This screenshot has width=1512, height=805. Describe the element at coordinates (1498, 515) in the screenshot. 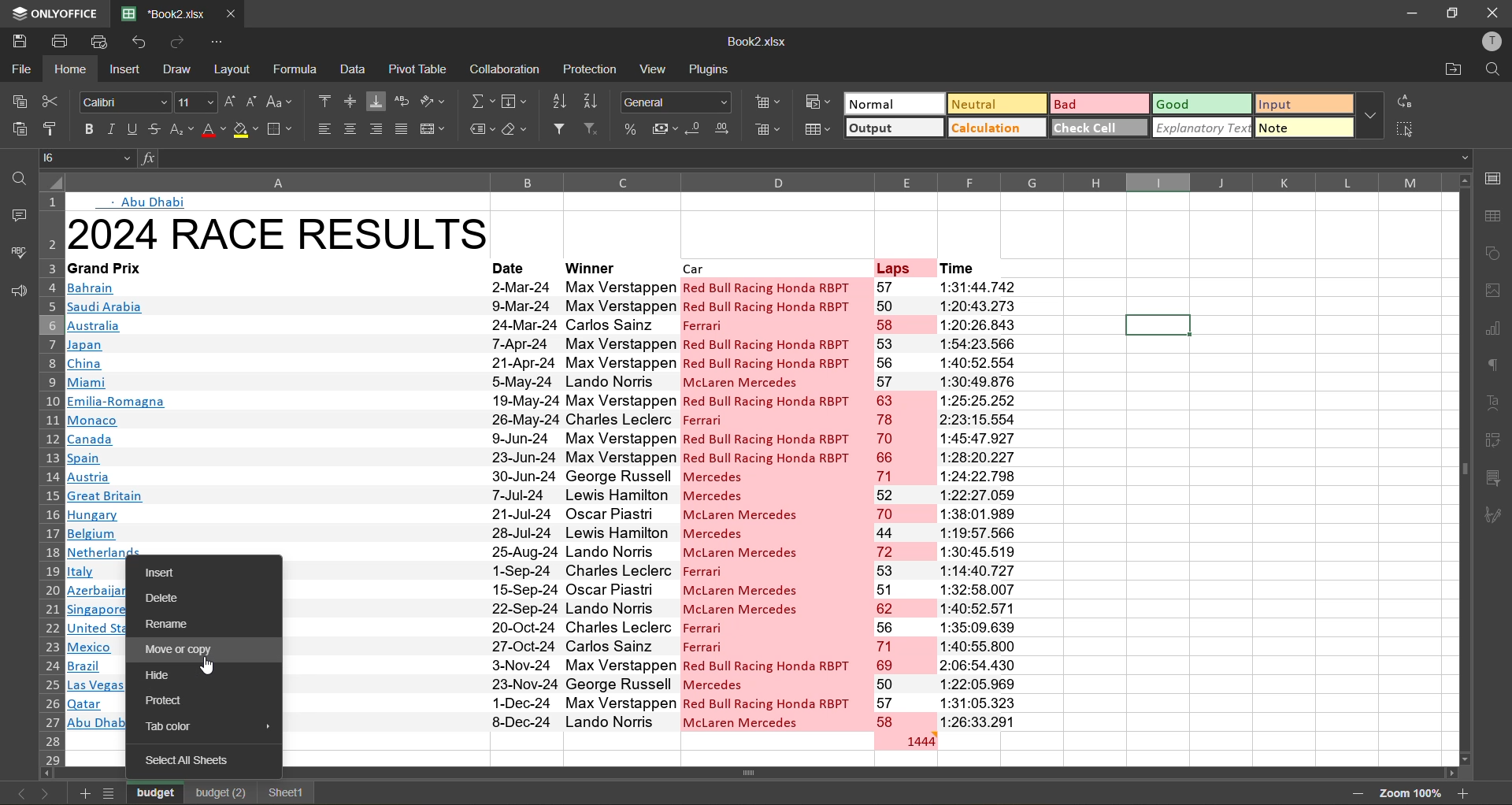

I see `signature` at that location.